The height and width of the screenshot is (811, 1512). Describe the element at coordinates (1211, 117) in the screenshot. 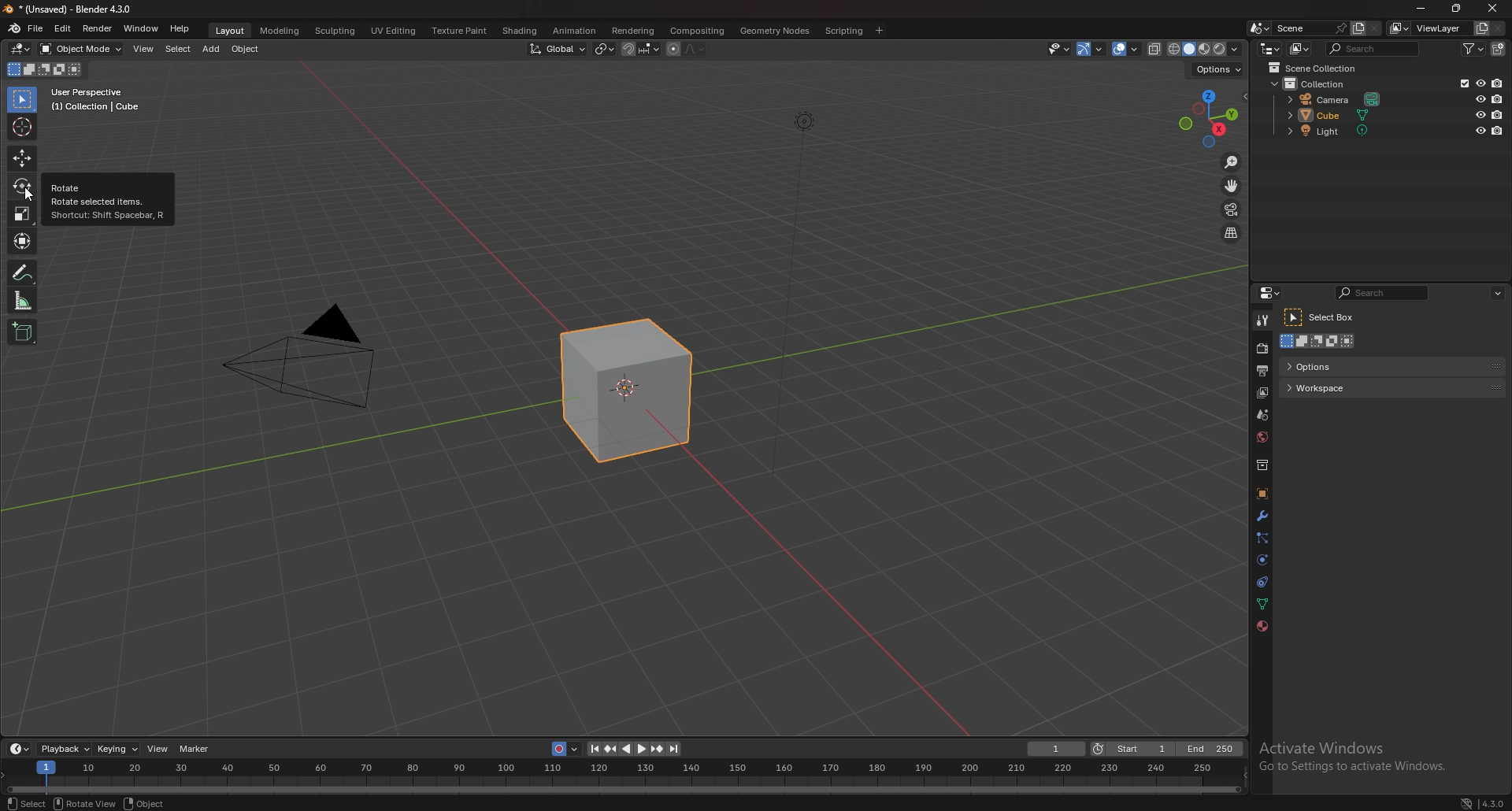

I see `preset viewpoint` at that location.